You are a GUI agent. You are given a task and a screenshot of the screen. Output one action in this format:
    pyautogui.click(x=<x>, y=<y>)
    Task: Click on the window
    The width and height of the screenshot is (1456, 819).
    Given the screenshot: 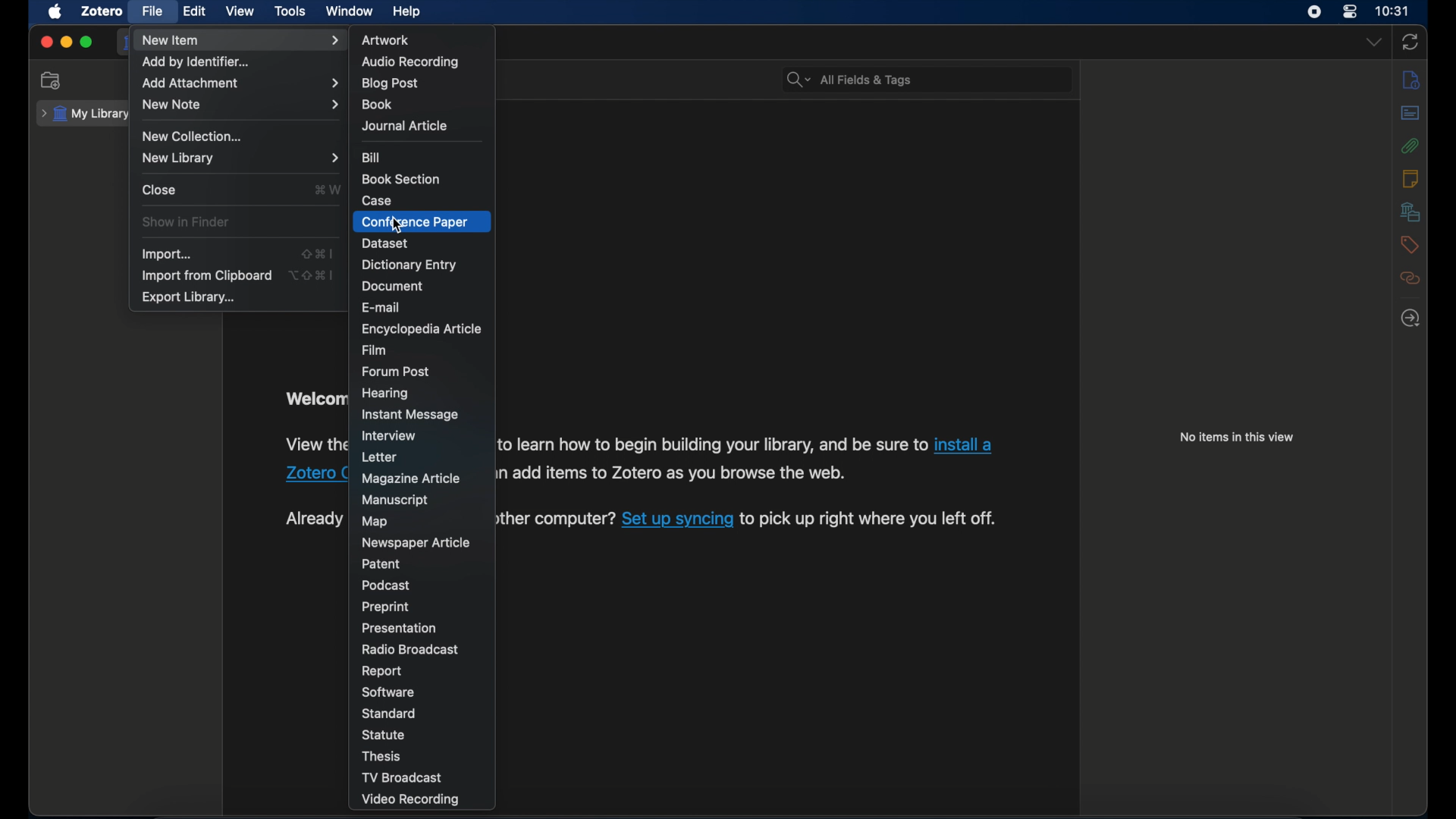 What is the action you would take?
    pyautogui.click(x=350, y=11)
    